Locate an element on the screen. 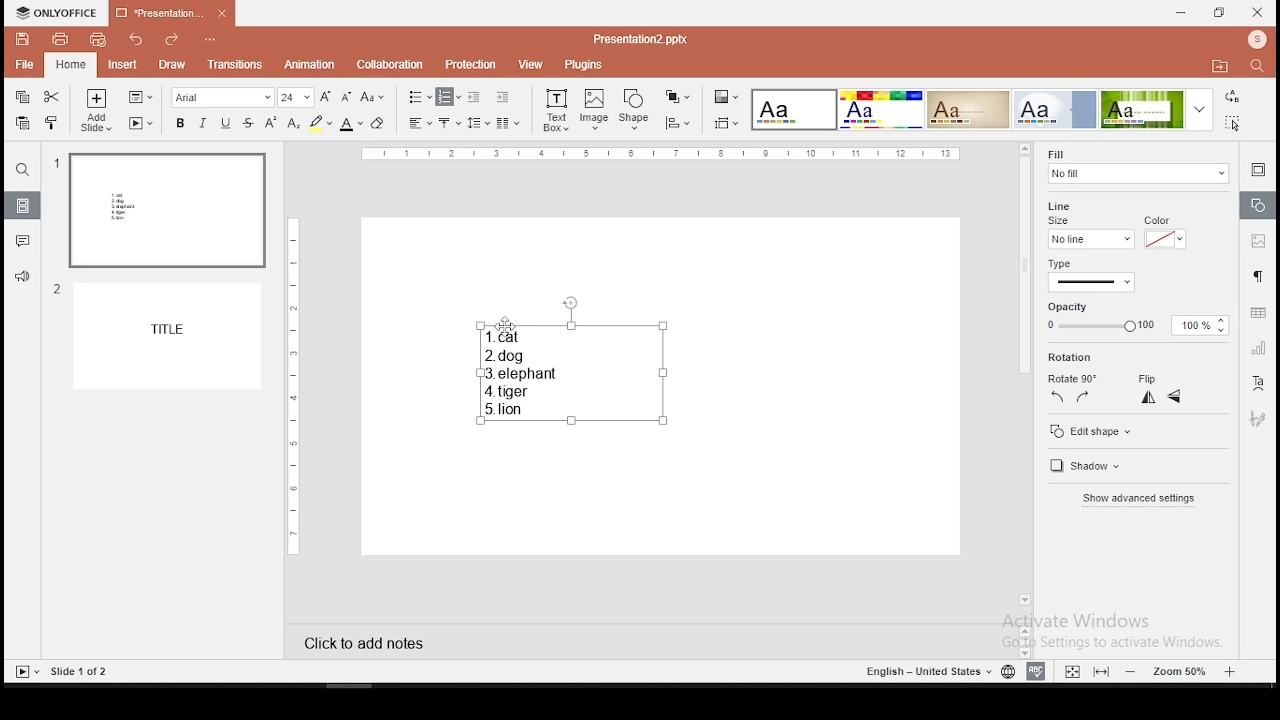 The image size is (1280, 720). scale is located at coordinates (291, 384).